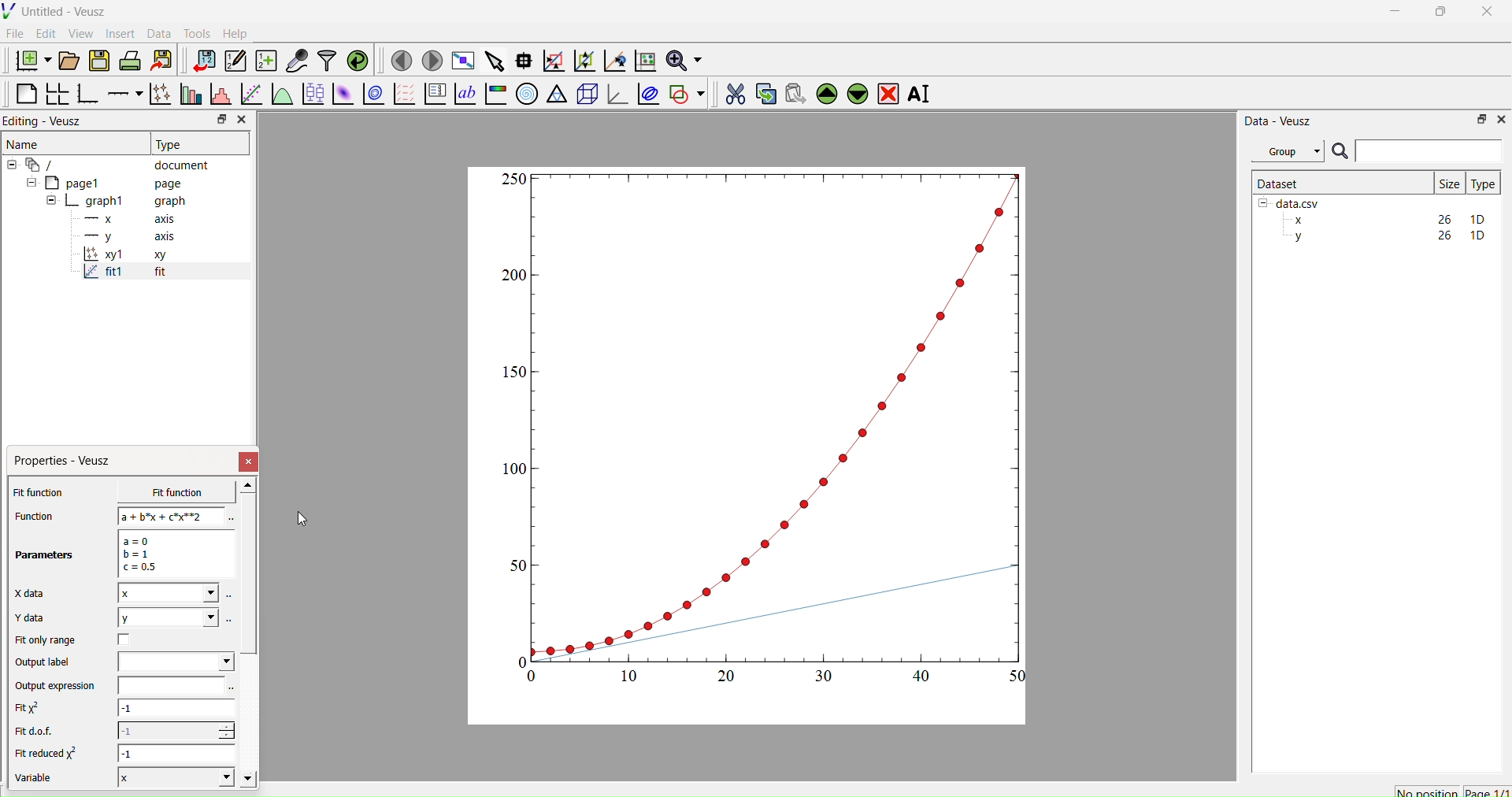 The image size is (1512, 797). I want to click on Zoom out of graph axis, so click(583, 59).